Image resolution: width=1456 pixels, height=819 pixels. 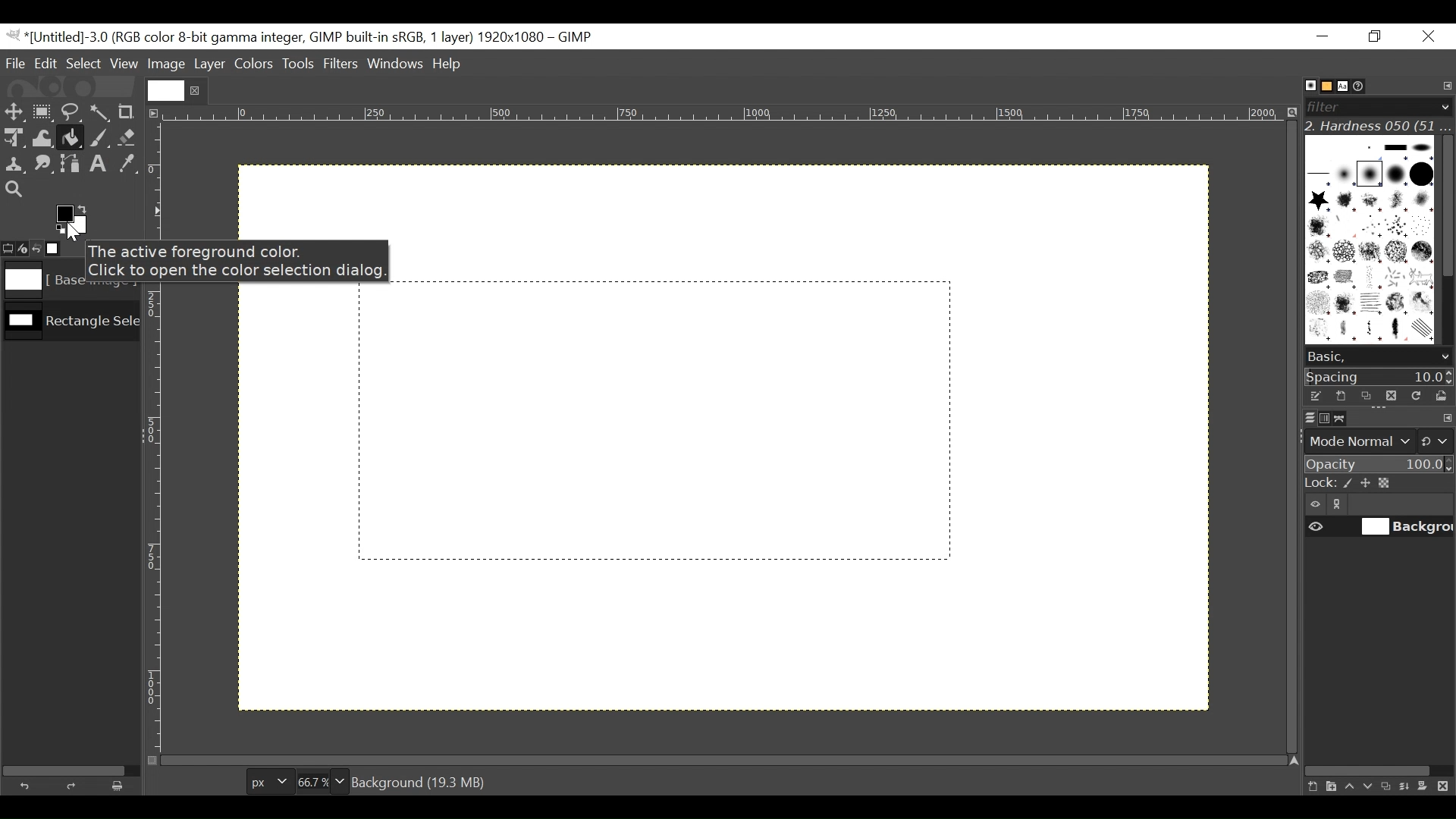 I want to click on Channels, so click(x=1321, y=417).